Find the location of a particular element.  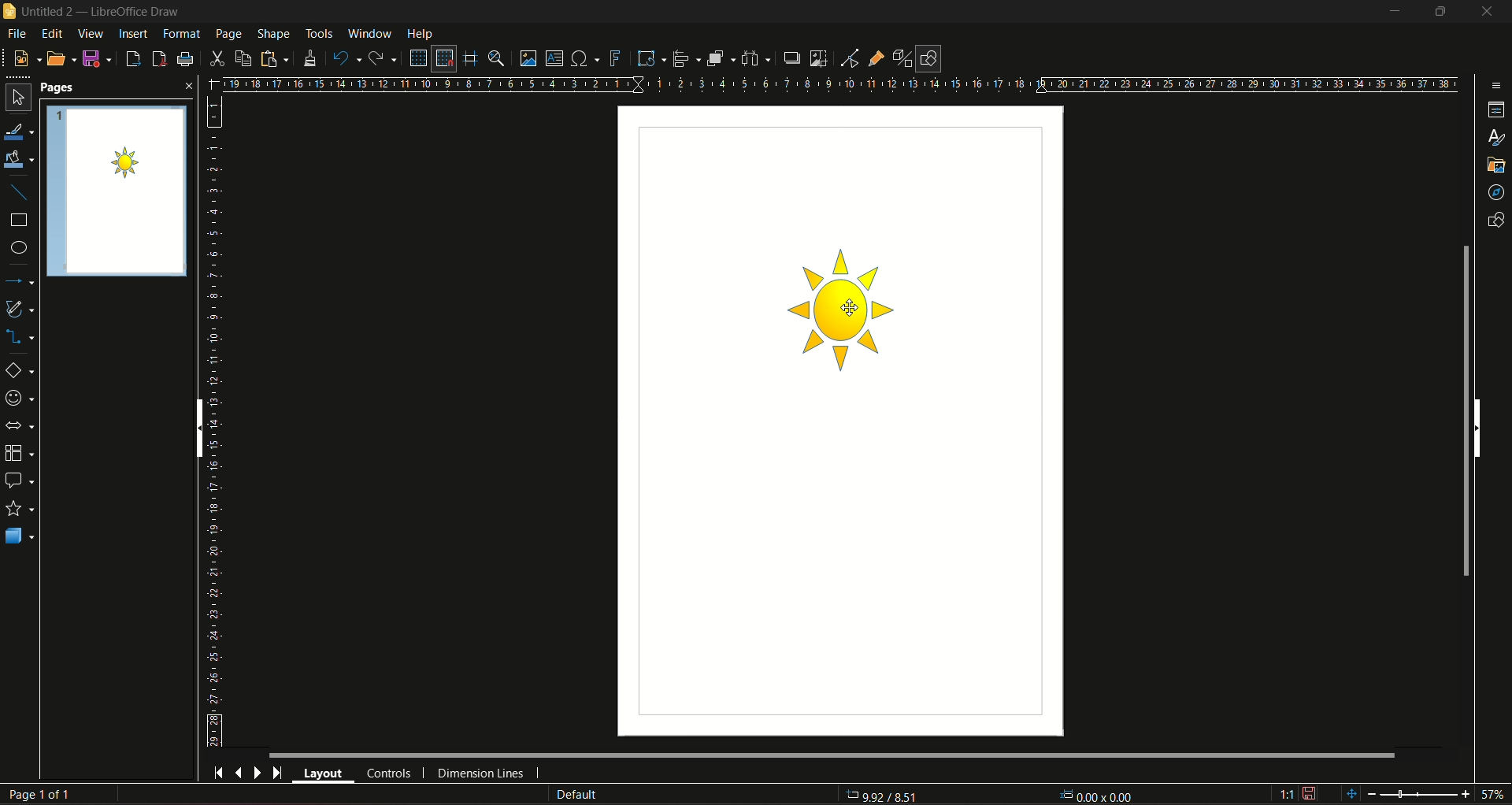

block arrows is located at coordinates (20, 425).